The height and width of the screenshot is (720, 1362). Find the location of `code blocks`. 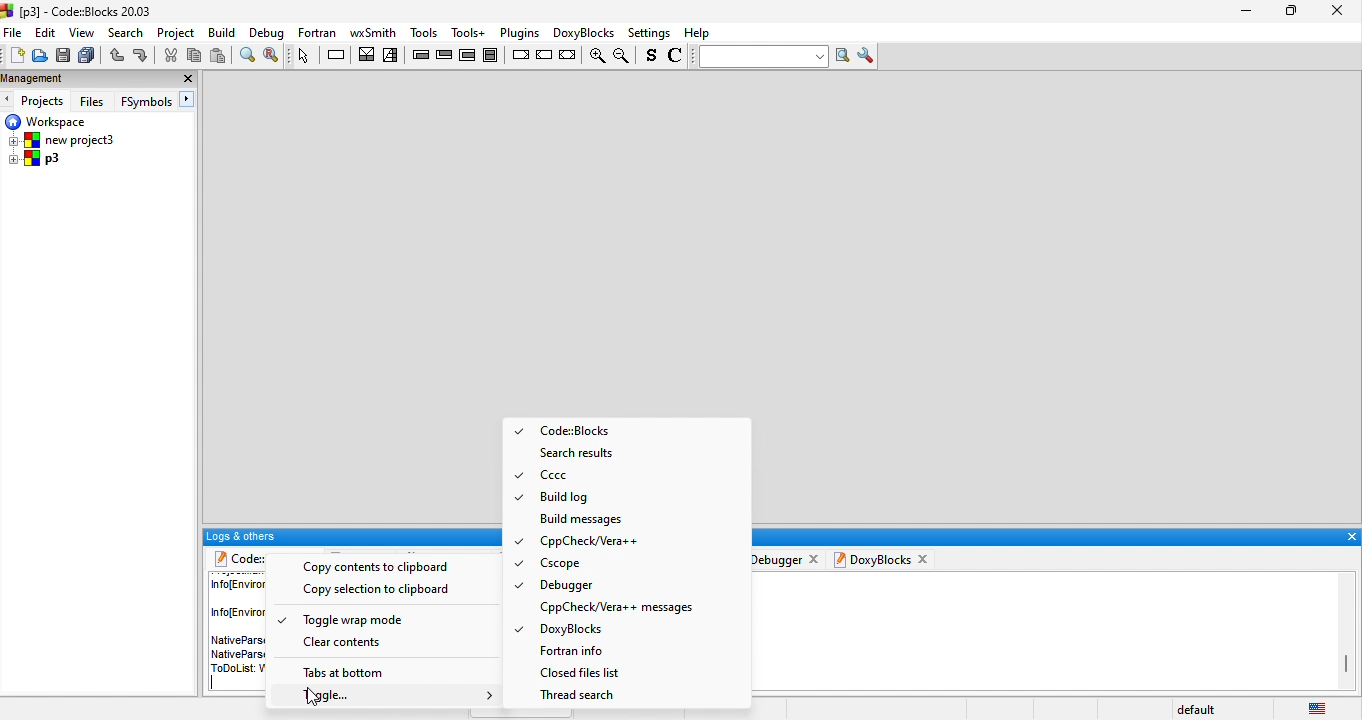

code blocks is located at coordinates (234, 558).